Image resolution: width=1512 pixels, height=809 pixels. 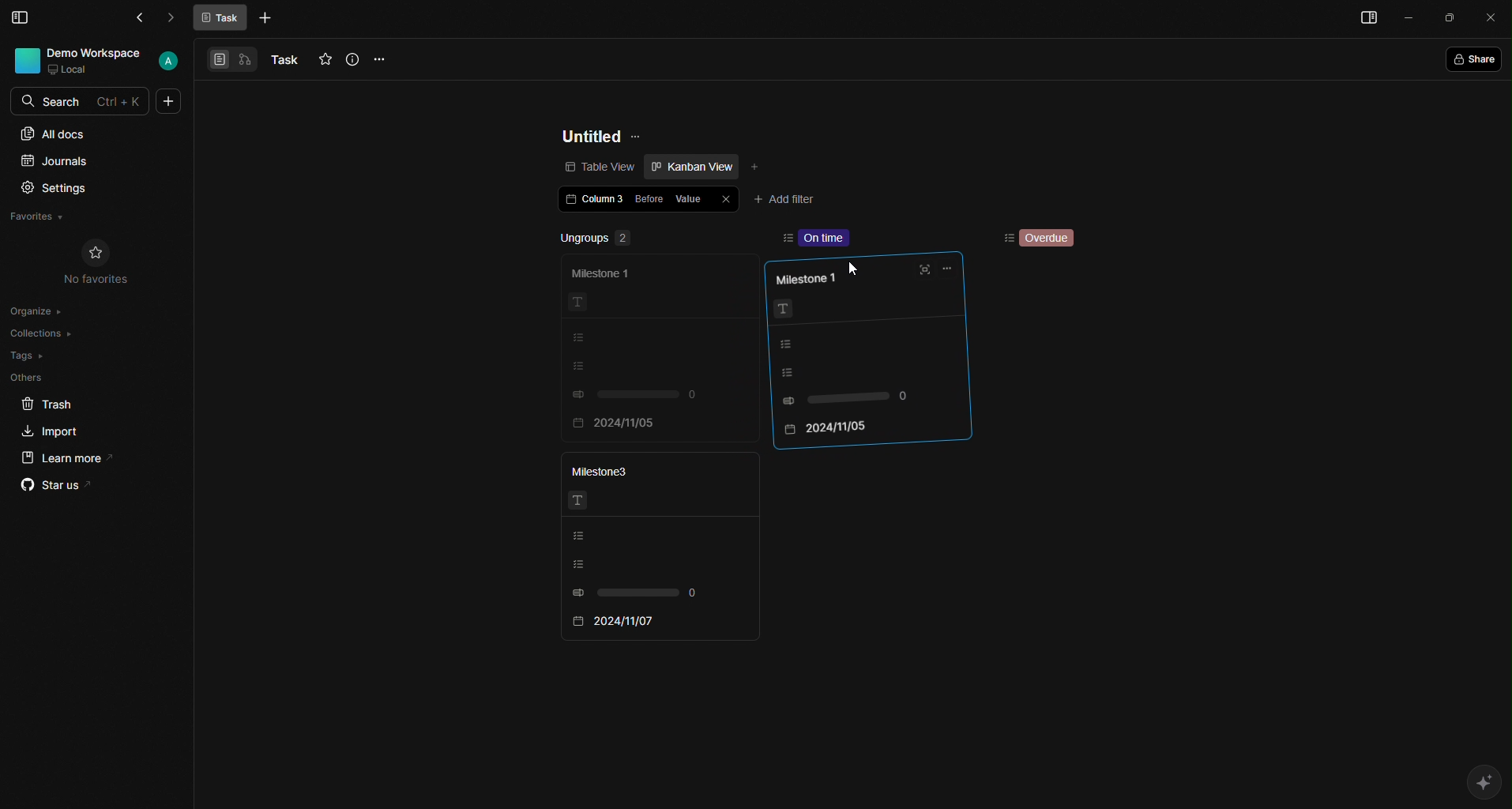 What do you see at coordinates (920, 273) in the screenshot?
I see `Full screen` at bounding box center [920, 273].